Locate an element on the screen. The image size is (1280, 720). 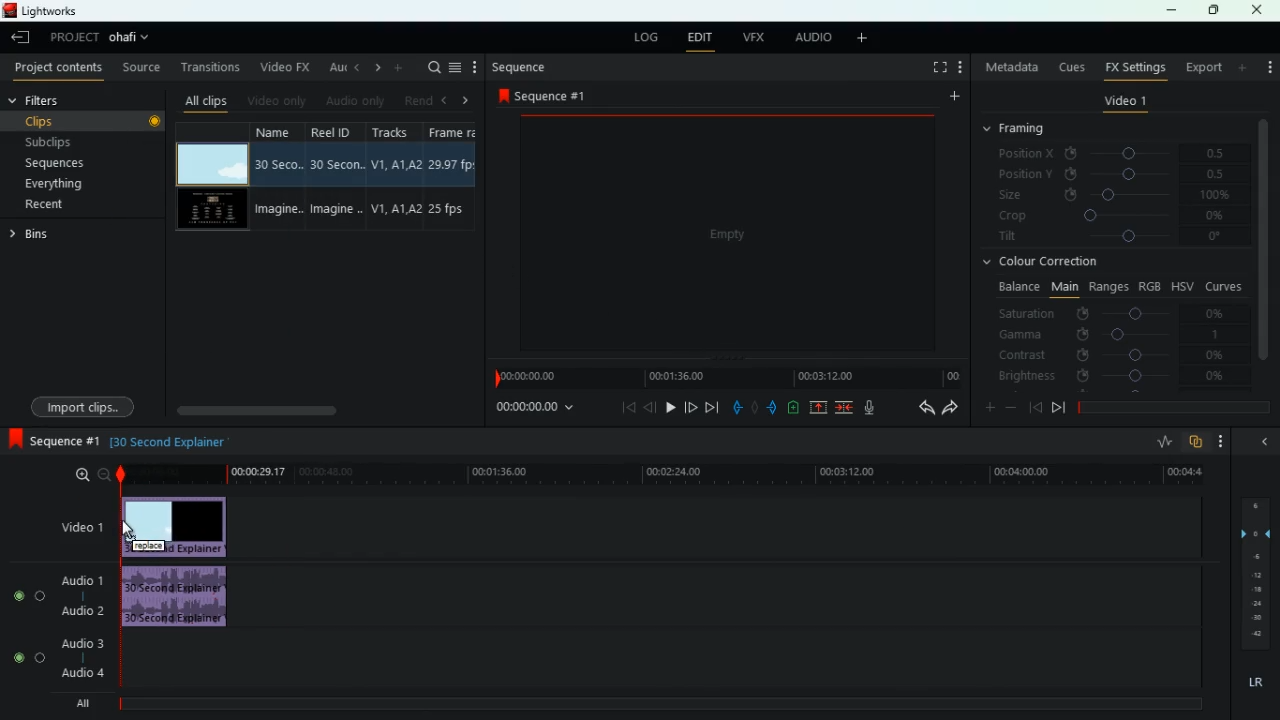
import clips is located at coordinates (86, 405).